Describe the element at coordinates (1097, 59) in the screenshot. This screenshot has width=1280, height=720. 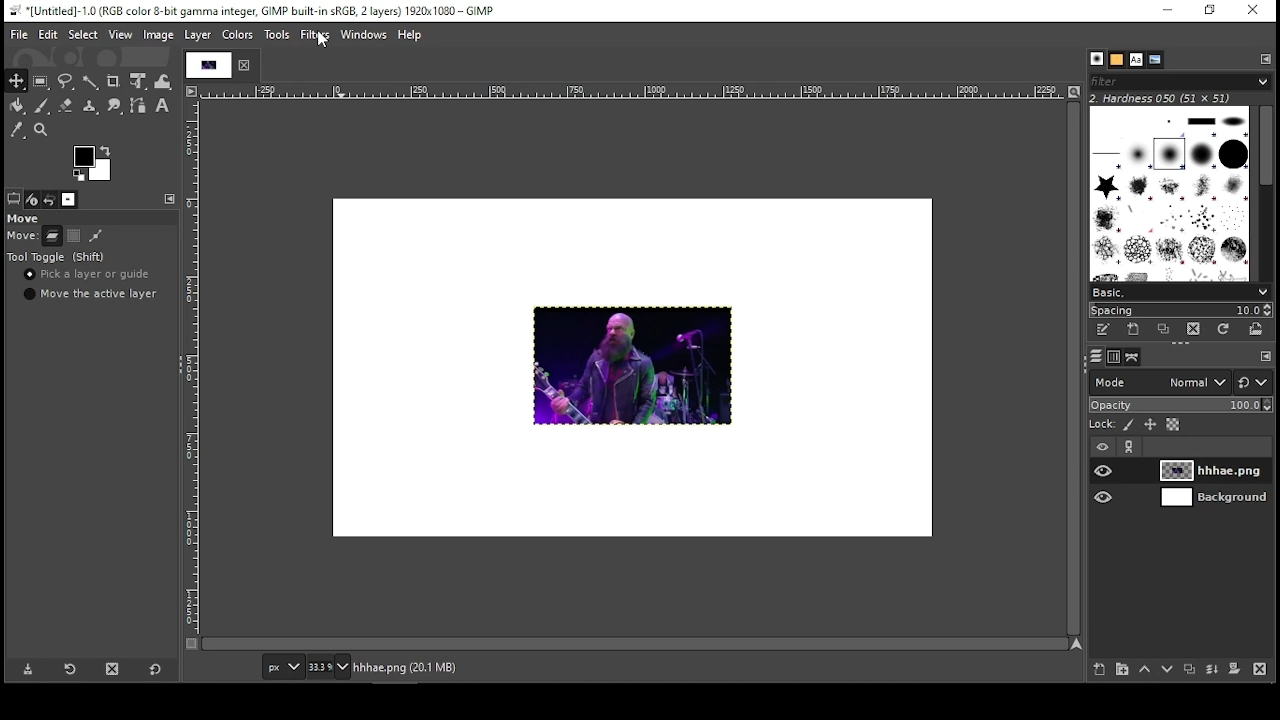
I see `brushes` at that location.